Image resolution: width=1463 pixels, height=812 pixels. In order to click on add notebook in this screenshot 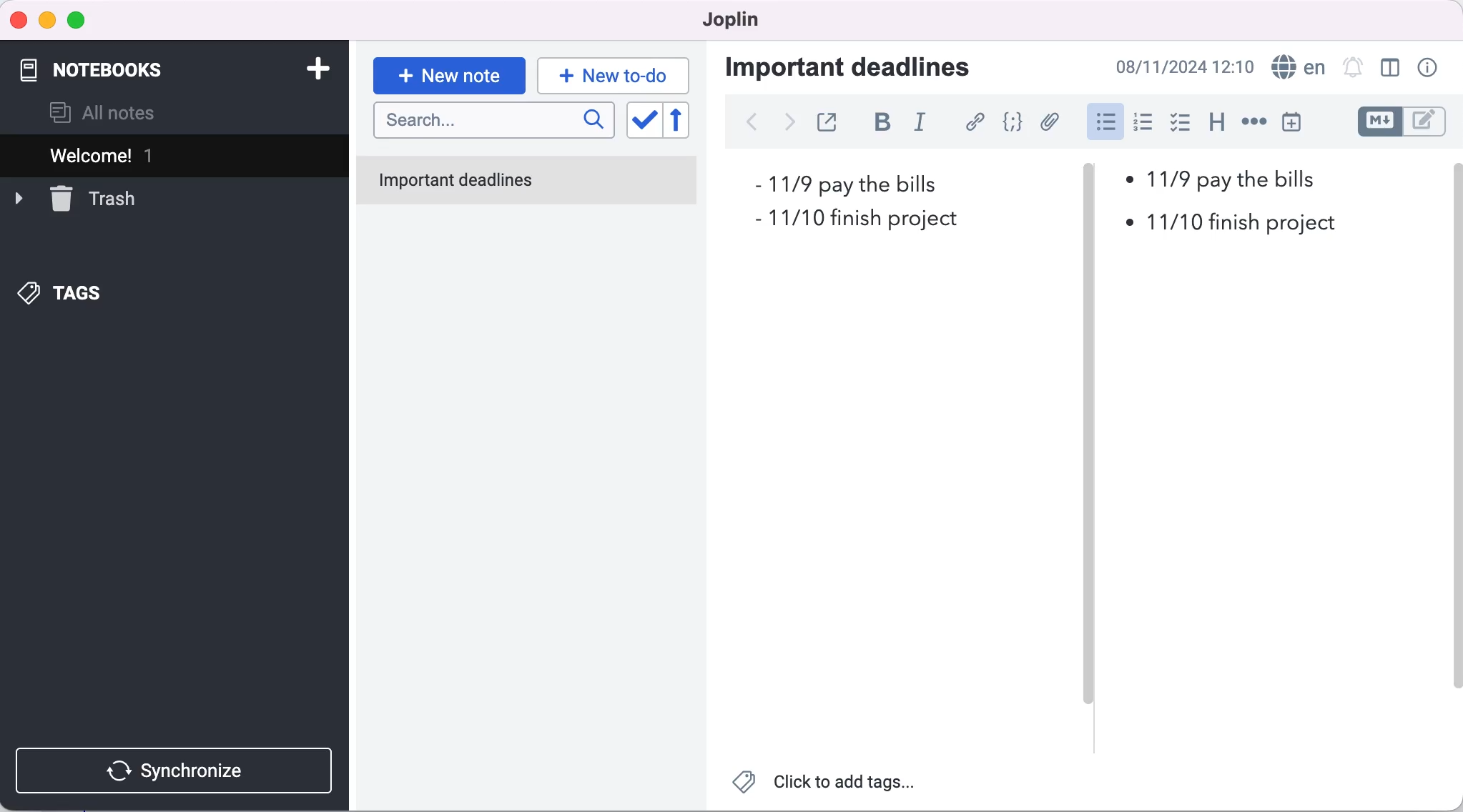, I will do `click(315, 67)`.